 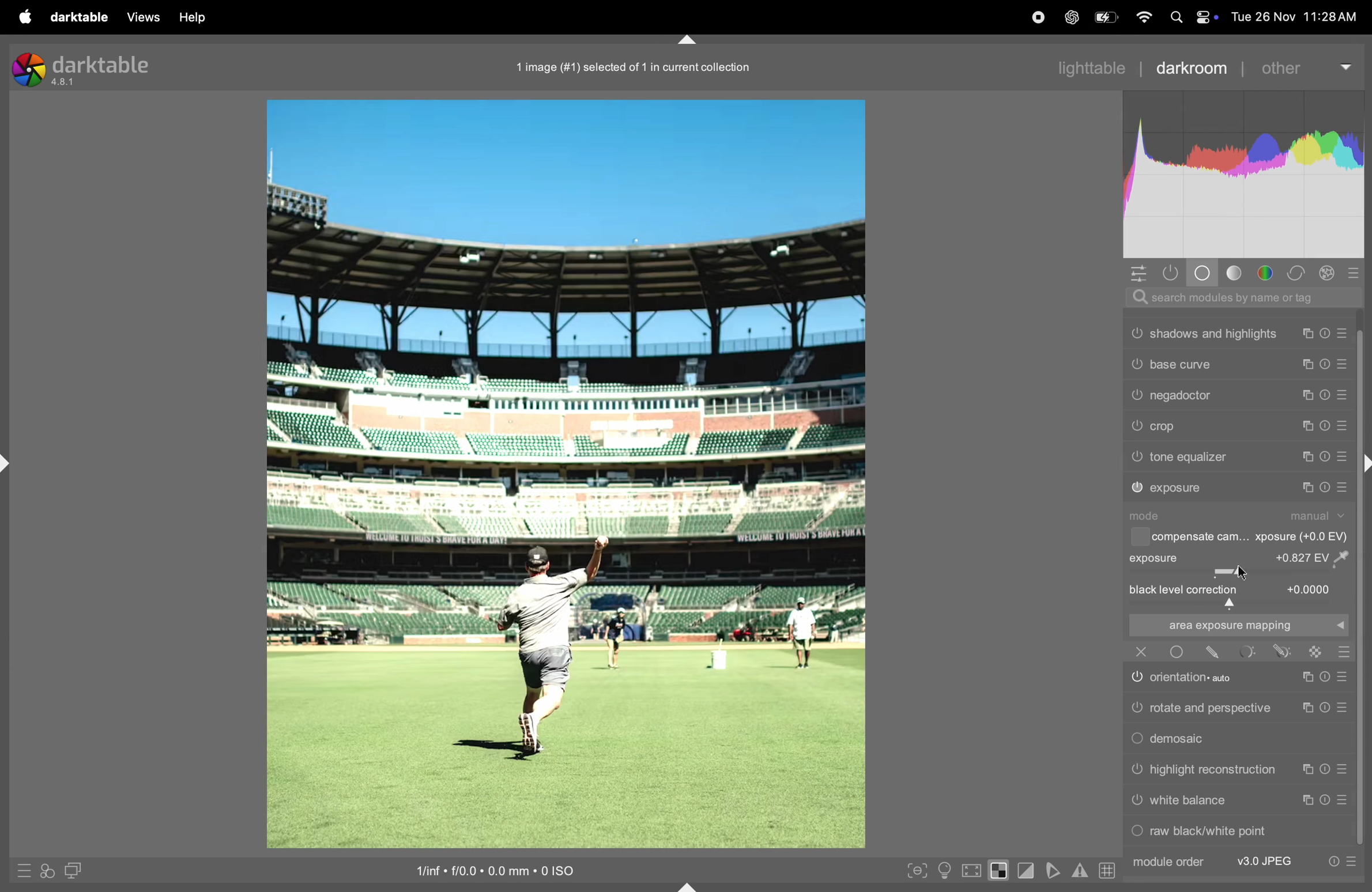 I want to click on Presets , so click(x=1342, y=458).